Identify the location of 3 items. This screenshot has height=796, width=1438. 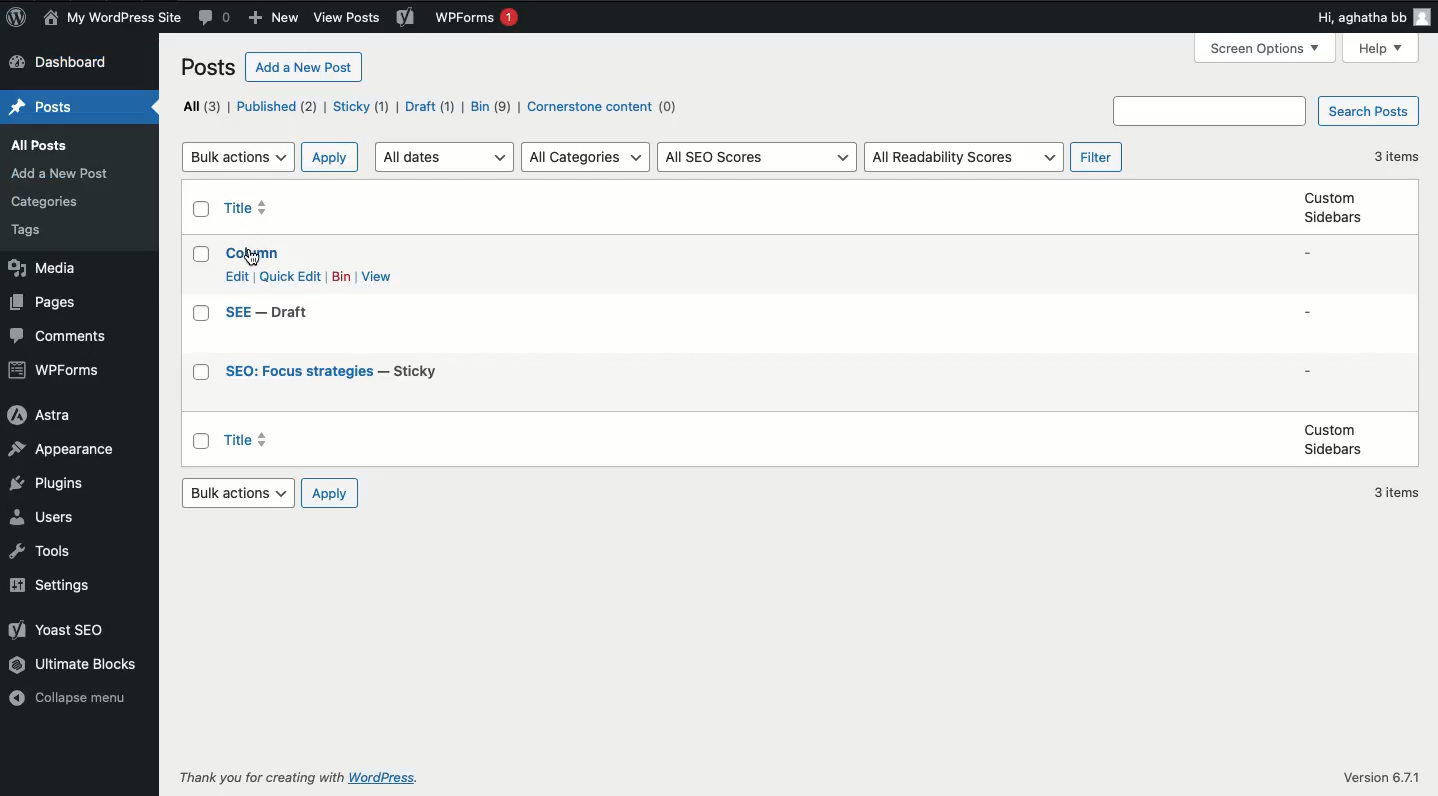
(1395, 493).